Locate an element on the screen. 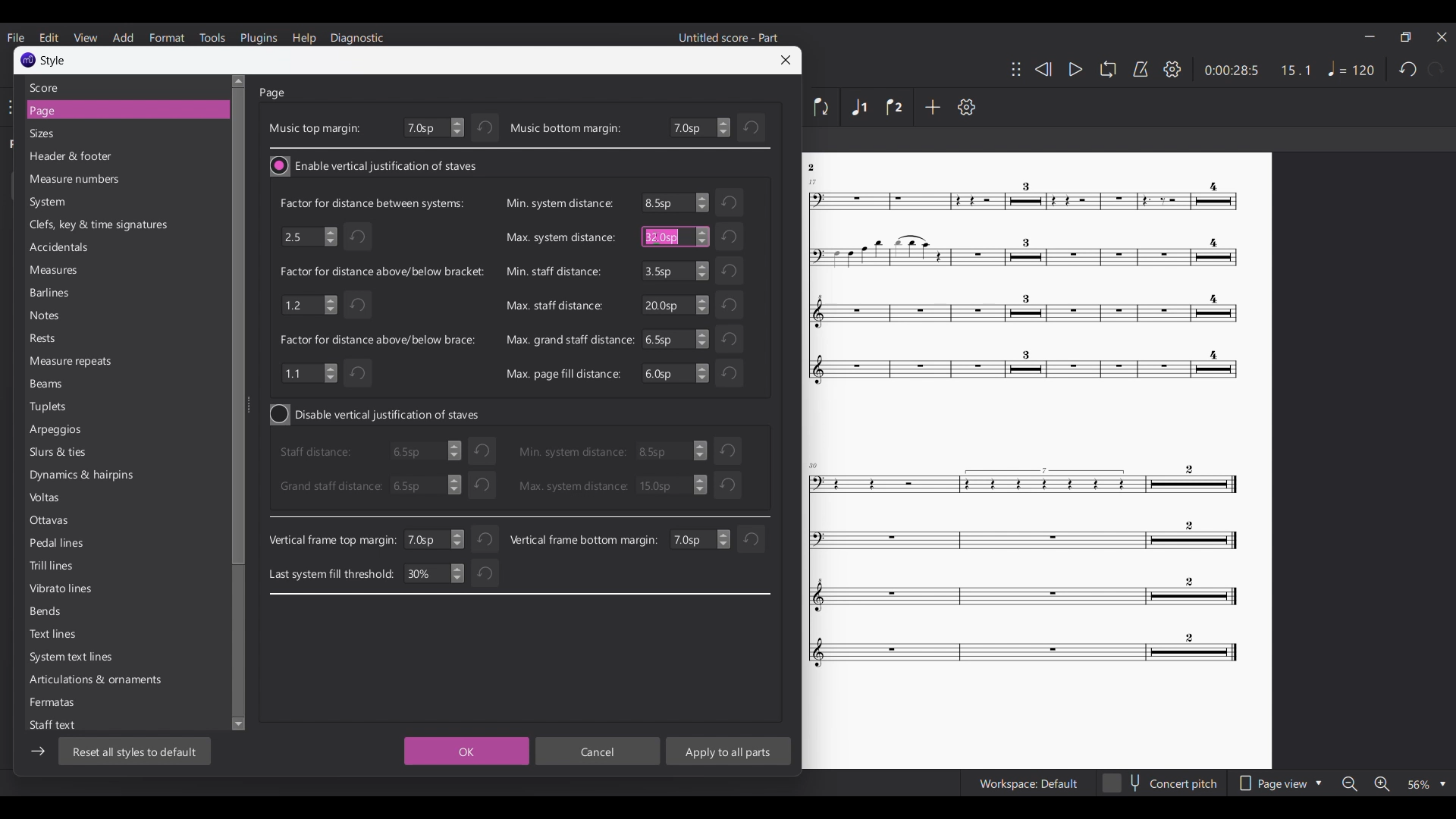 The width and height of the screenshot is (1456, 819). Zoom options is located at coordinates (1427, 784).